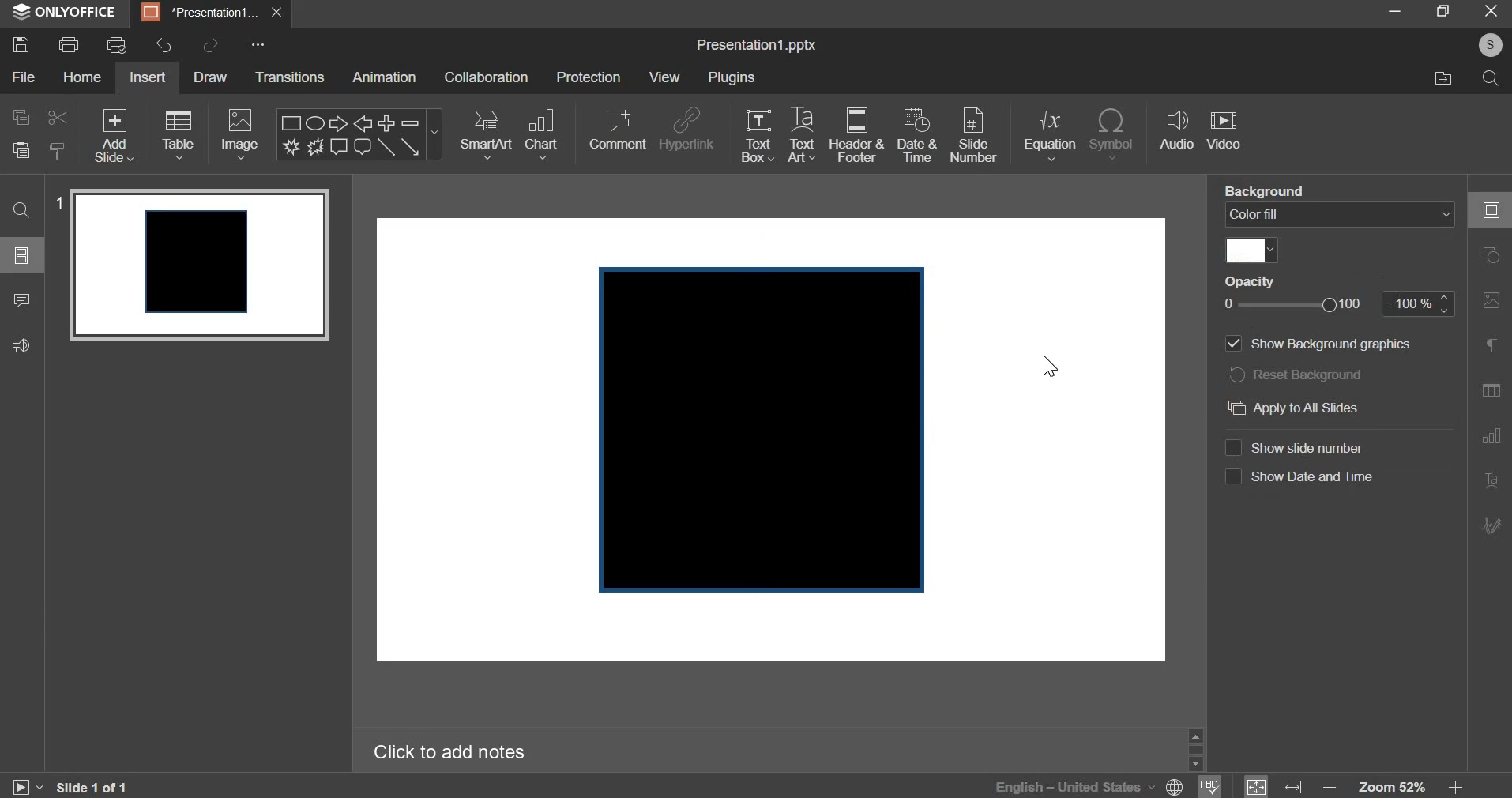  I want to click on shape Caret, so click(434, 136).